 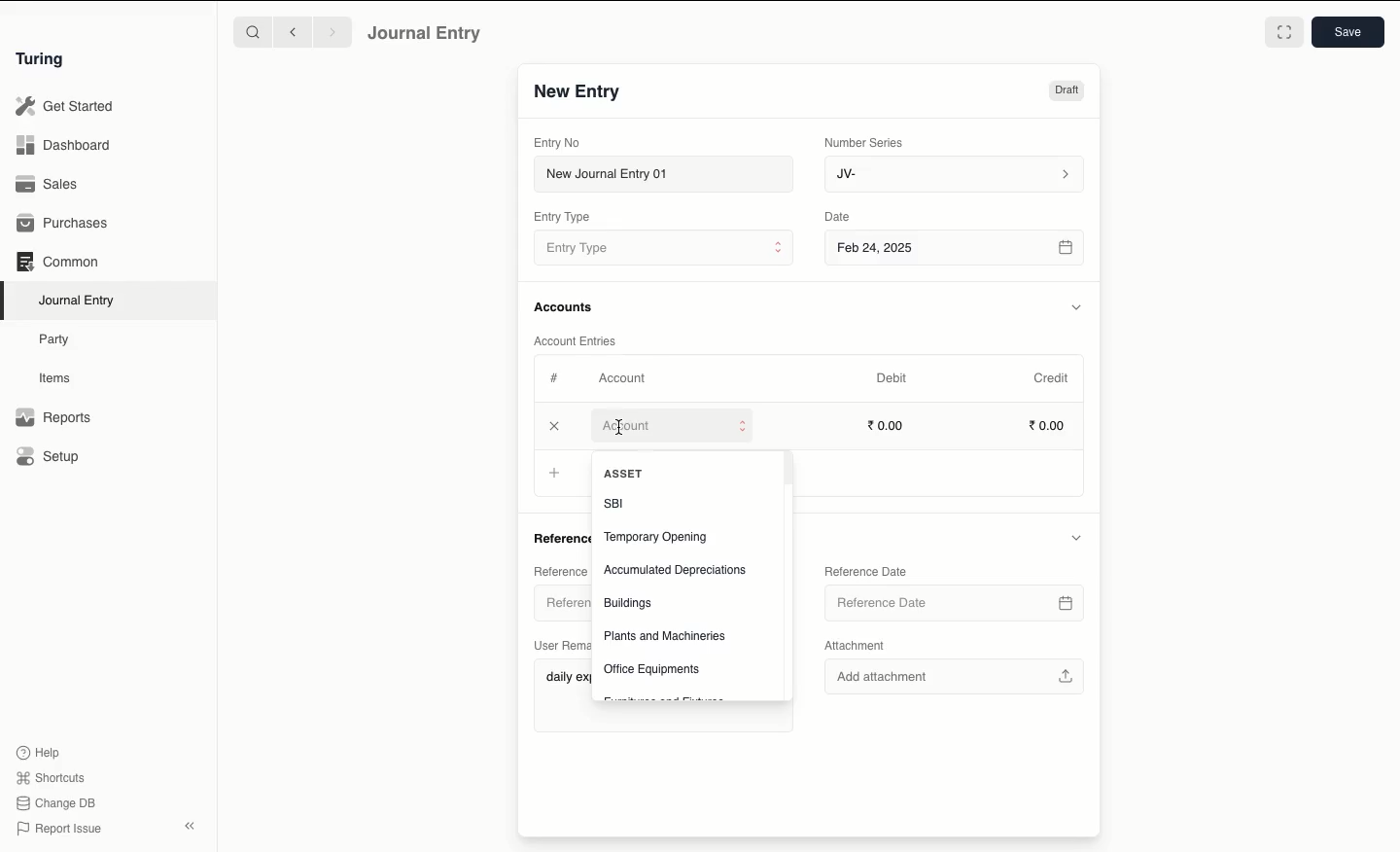 I want to click on Setup, so click(x=49, y=455).